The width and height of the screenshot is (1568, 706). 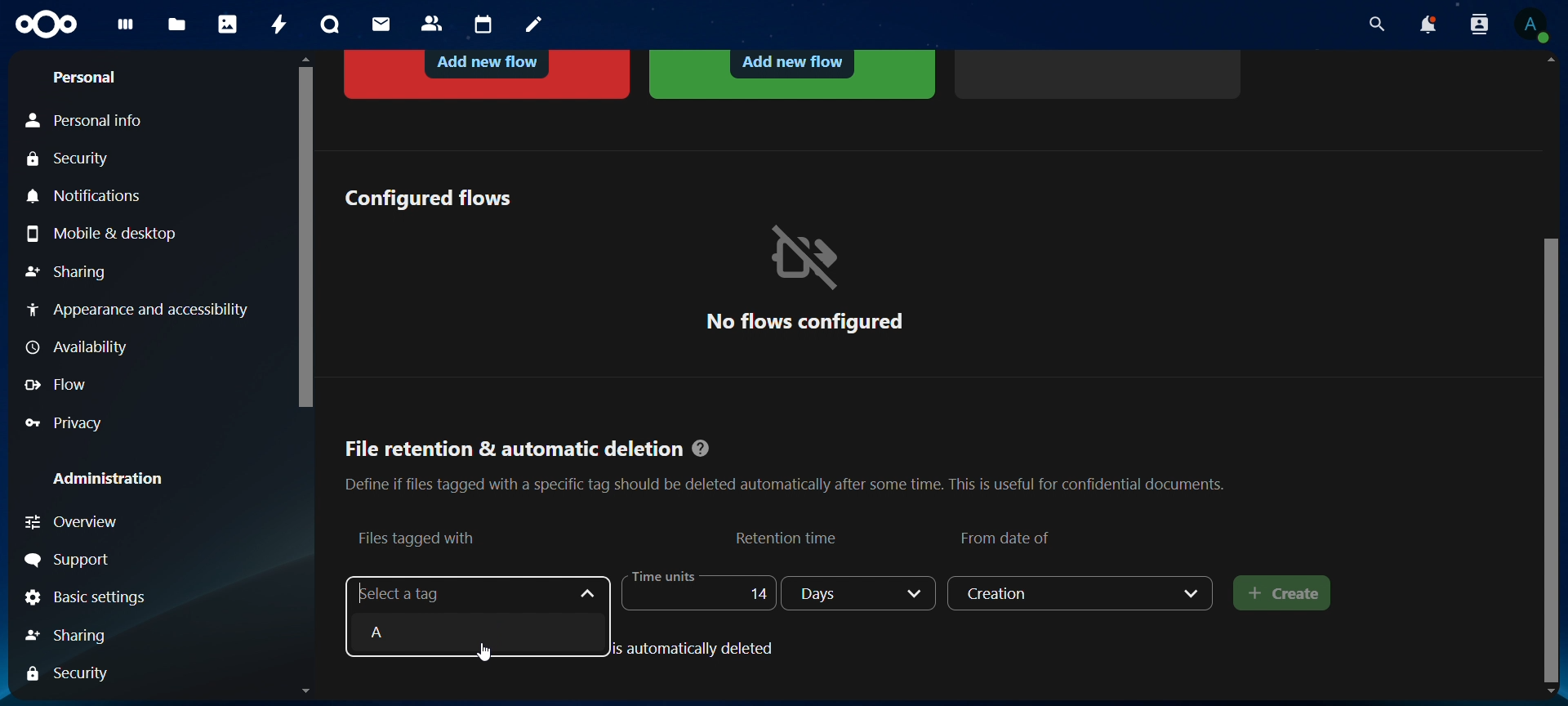 What do you see at coordinates (1009, 535) in the screenshot?
I see `from date of` at bounding box center [1009, 535].